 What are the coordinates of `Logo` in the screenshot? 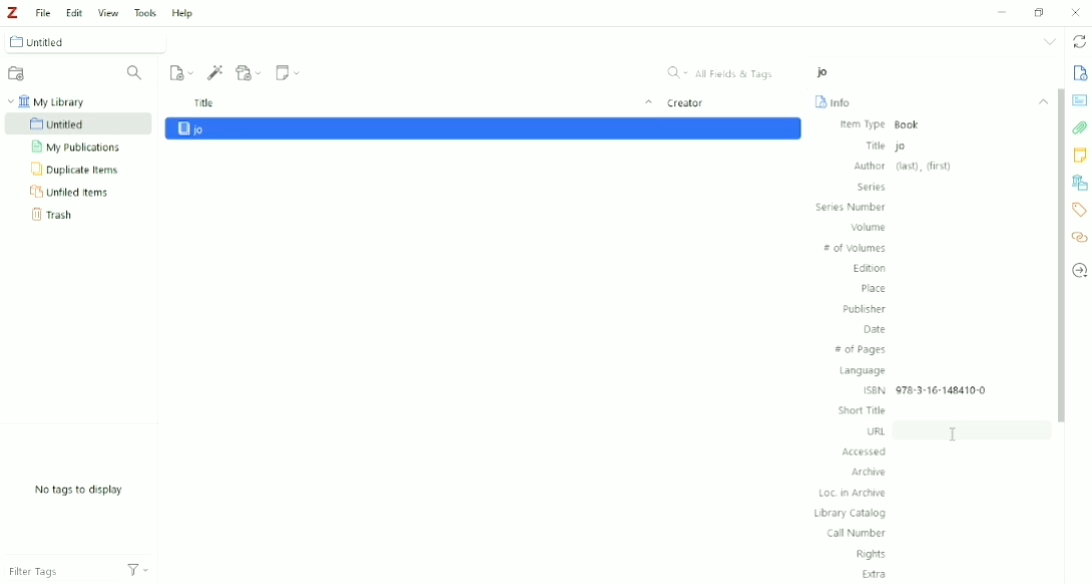 It's located at (12, 12).